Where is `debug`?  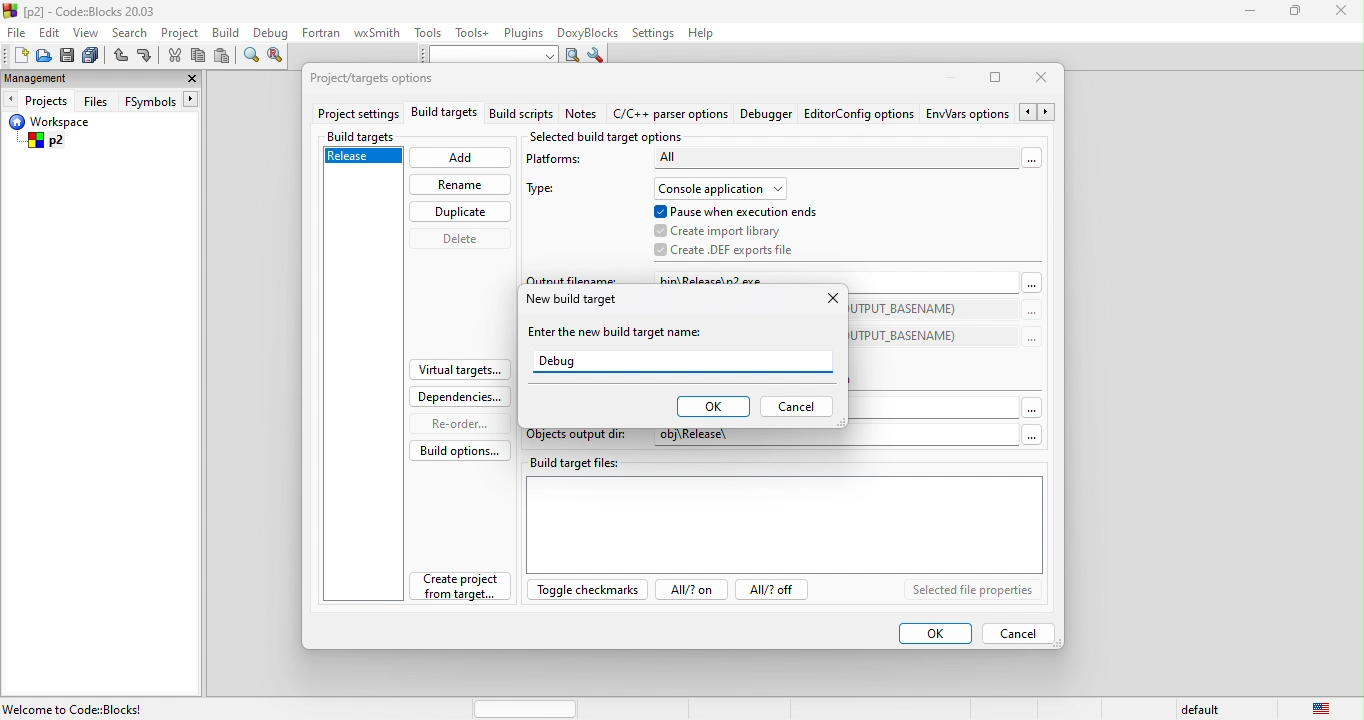 debug is located at coordinates (560, 363).